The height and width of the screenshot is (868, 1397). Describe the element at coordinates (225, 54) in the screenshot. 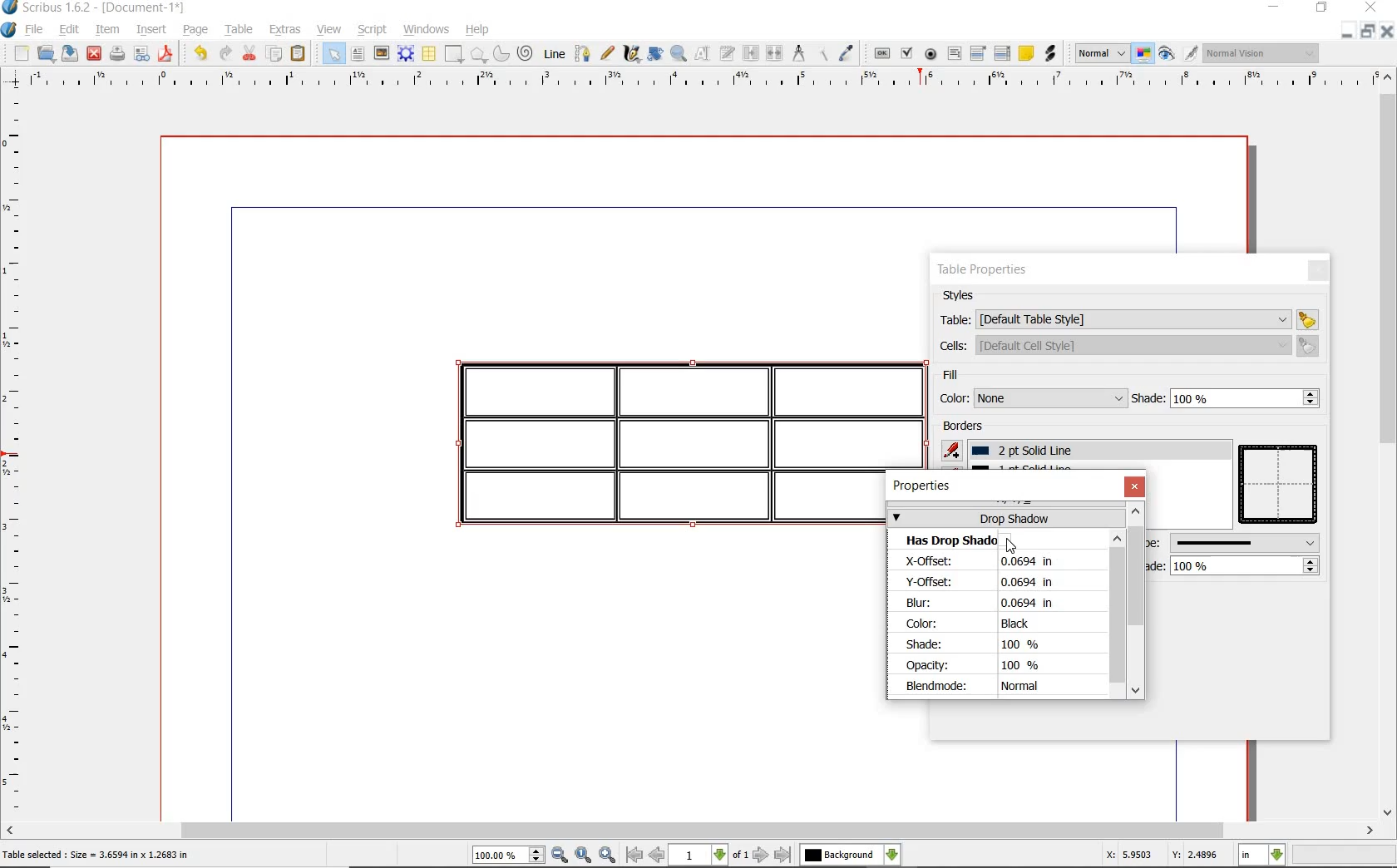

I see `redo` at that location.